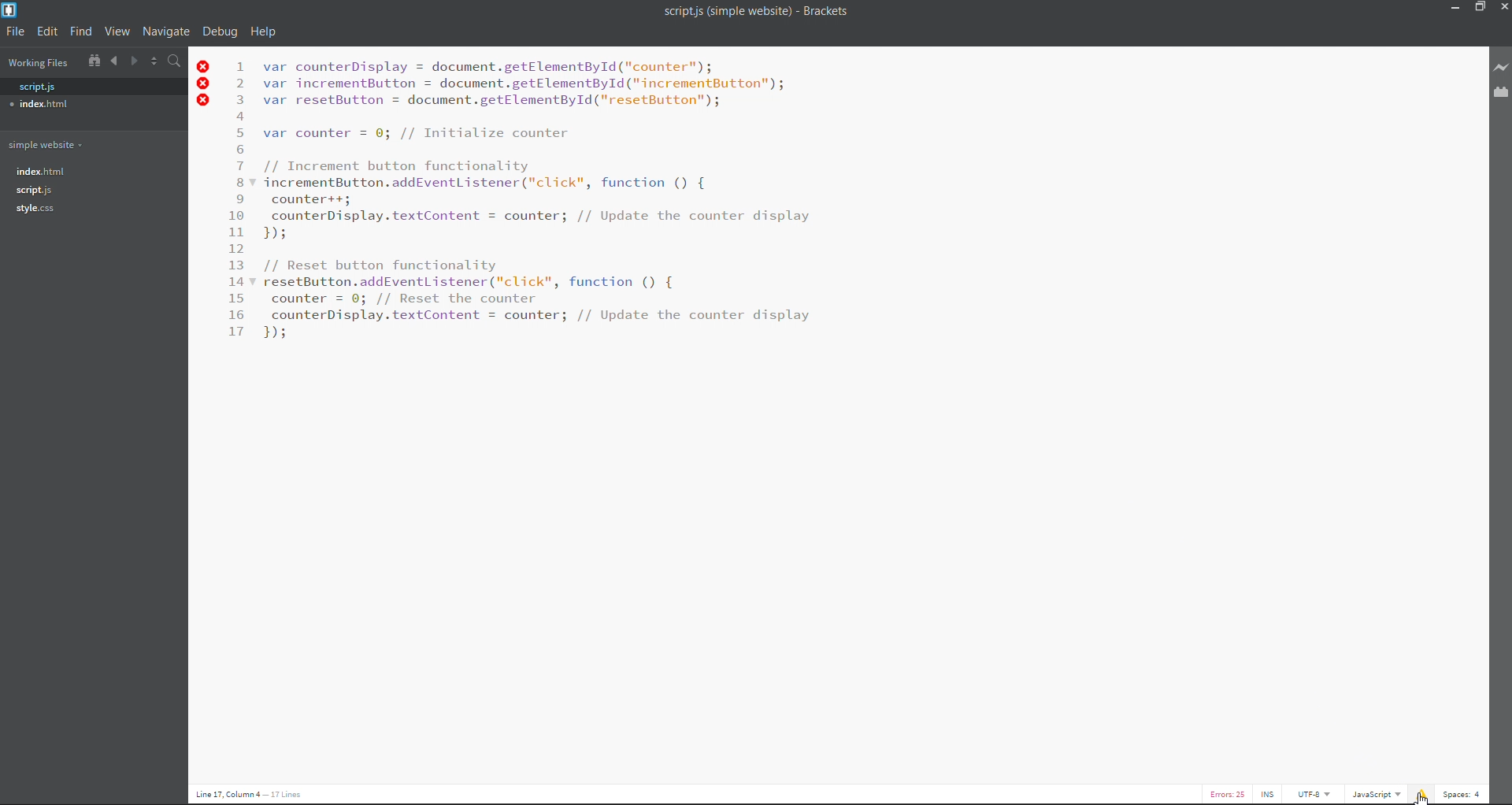  I want to click on index.html, so click(51, 172).